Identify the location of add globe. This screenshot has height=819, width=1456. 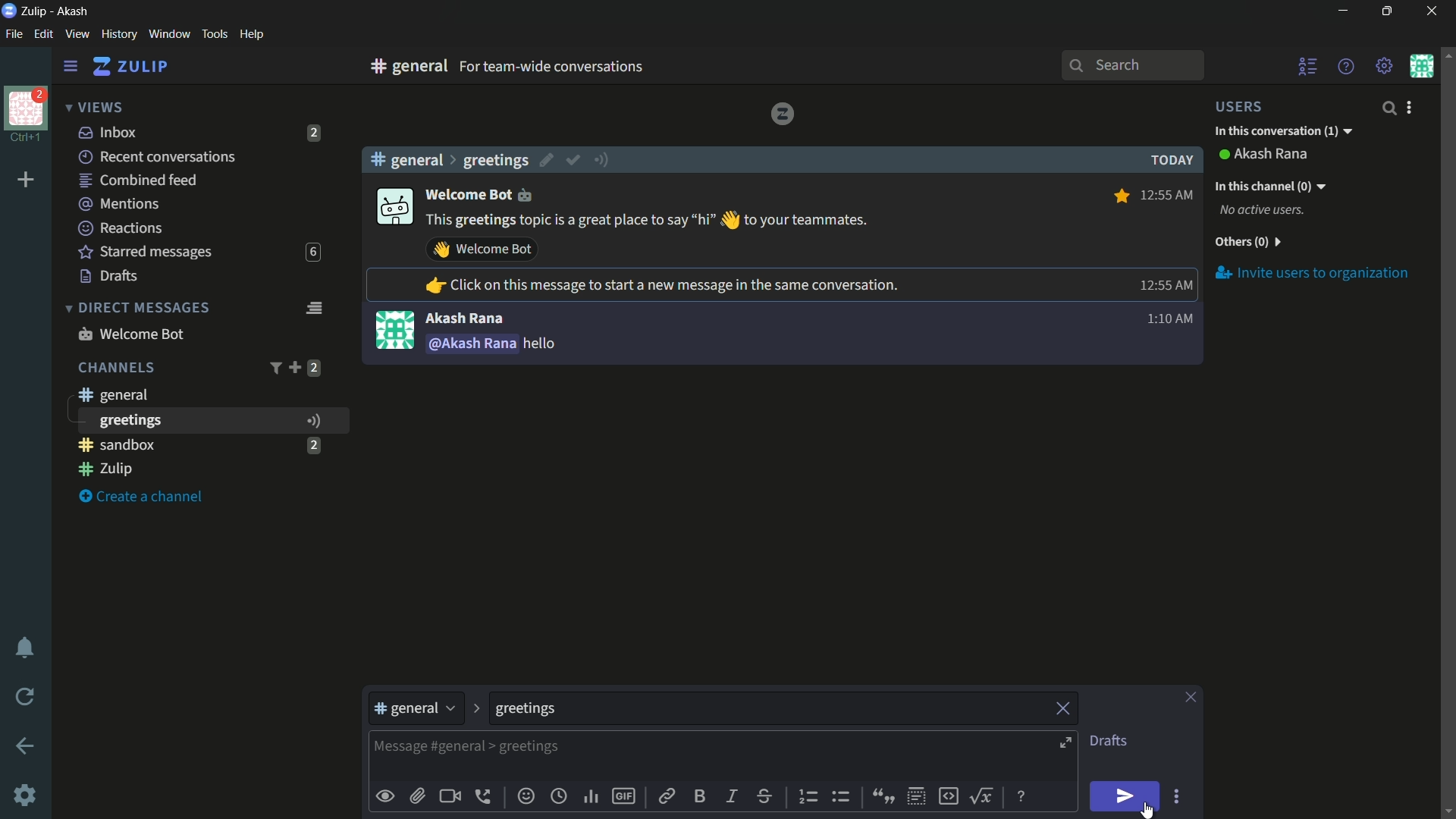
(559, 798).